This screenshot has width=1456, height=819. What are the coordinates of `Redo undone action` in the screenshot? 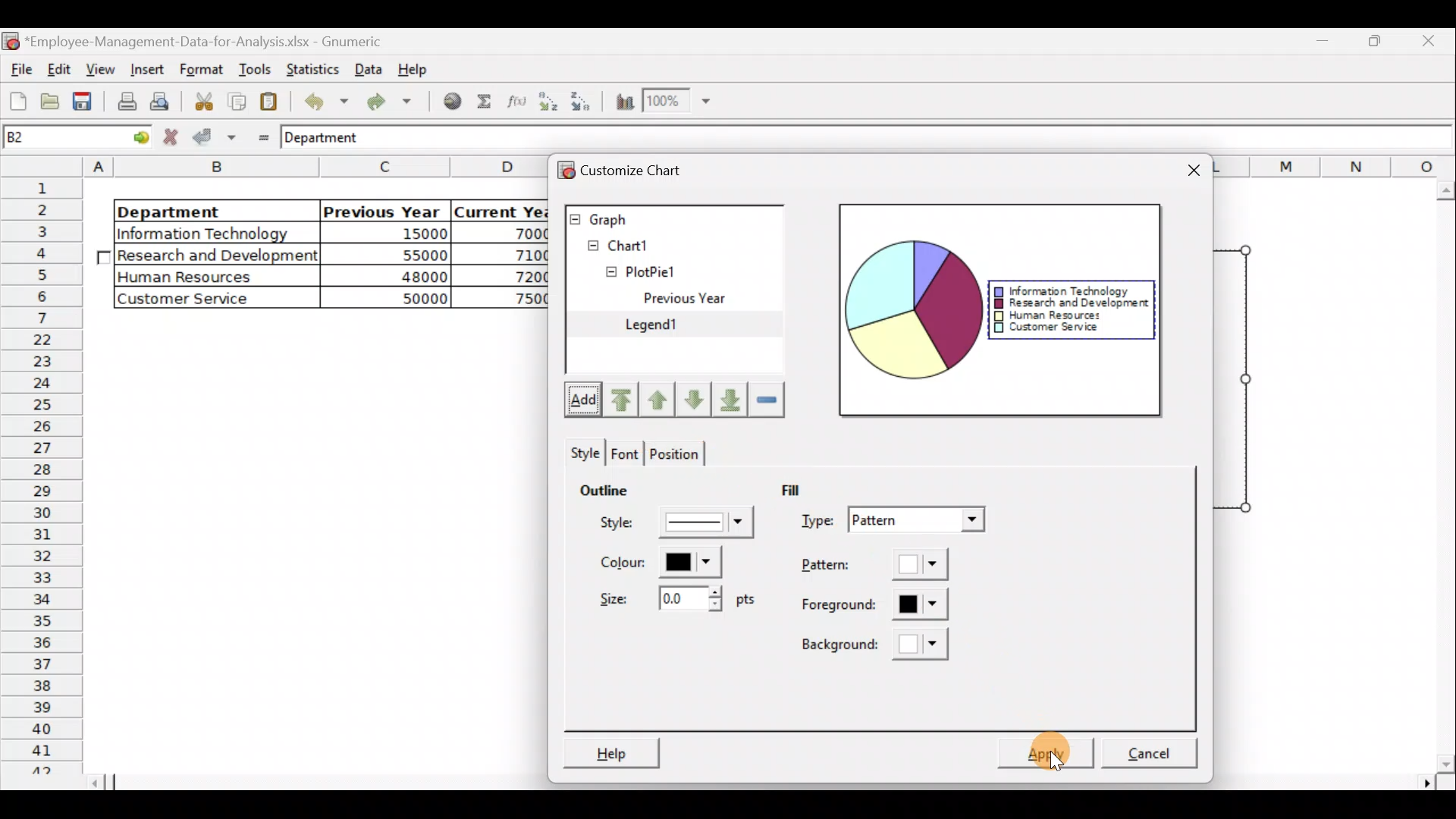 It's located at (394, 102).